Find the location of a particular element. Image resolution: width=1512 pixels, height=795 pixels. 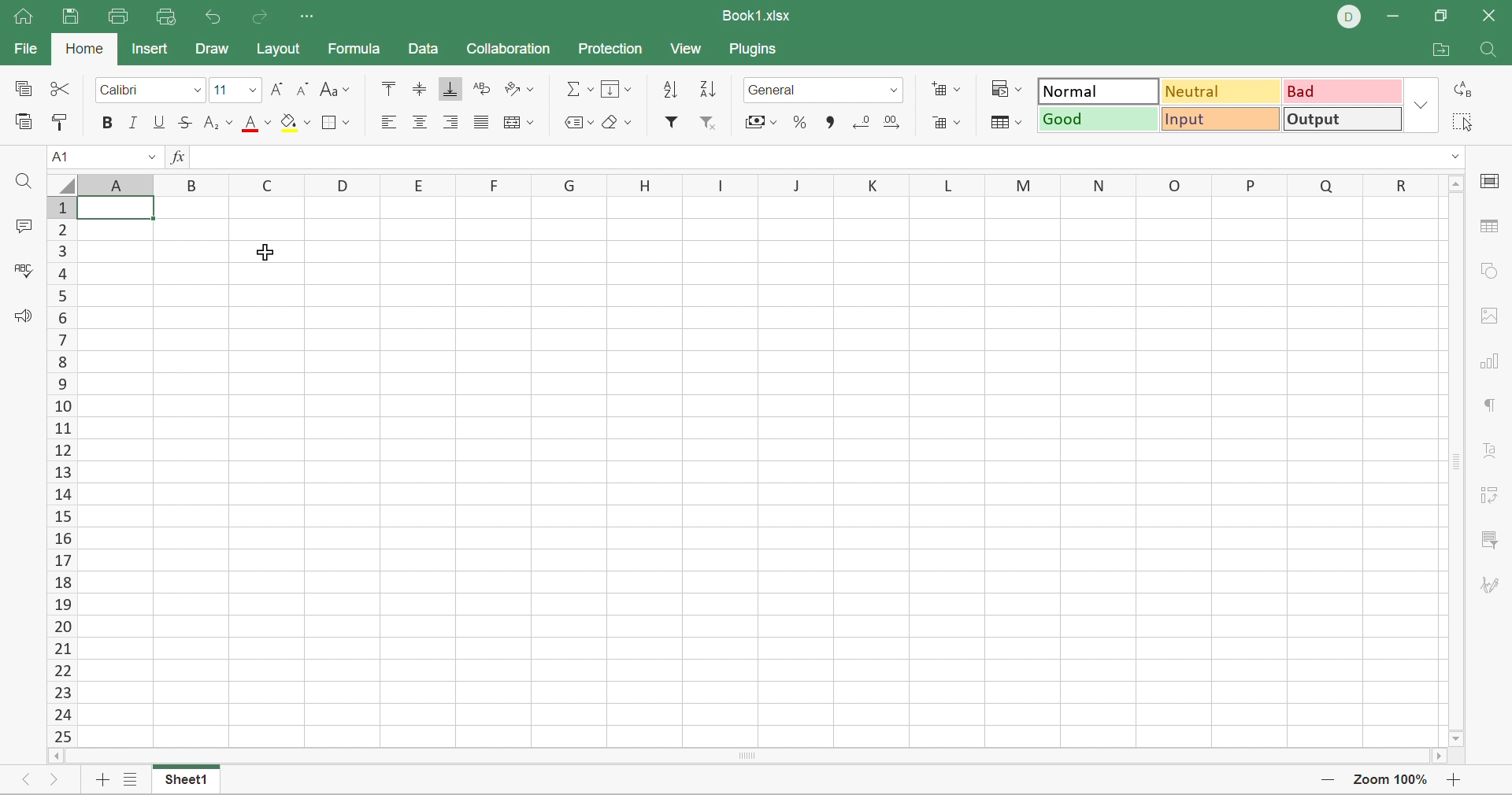

Scroll Down is located at coordinates (1455, 740).